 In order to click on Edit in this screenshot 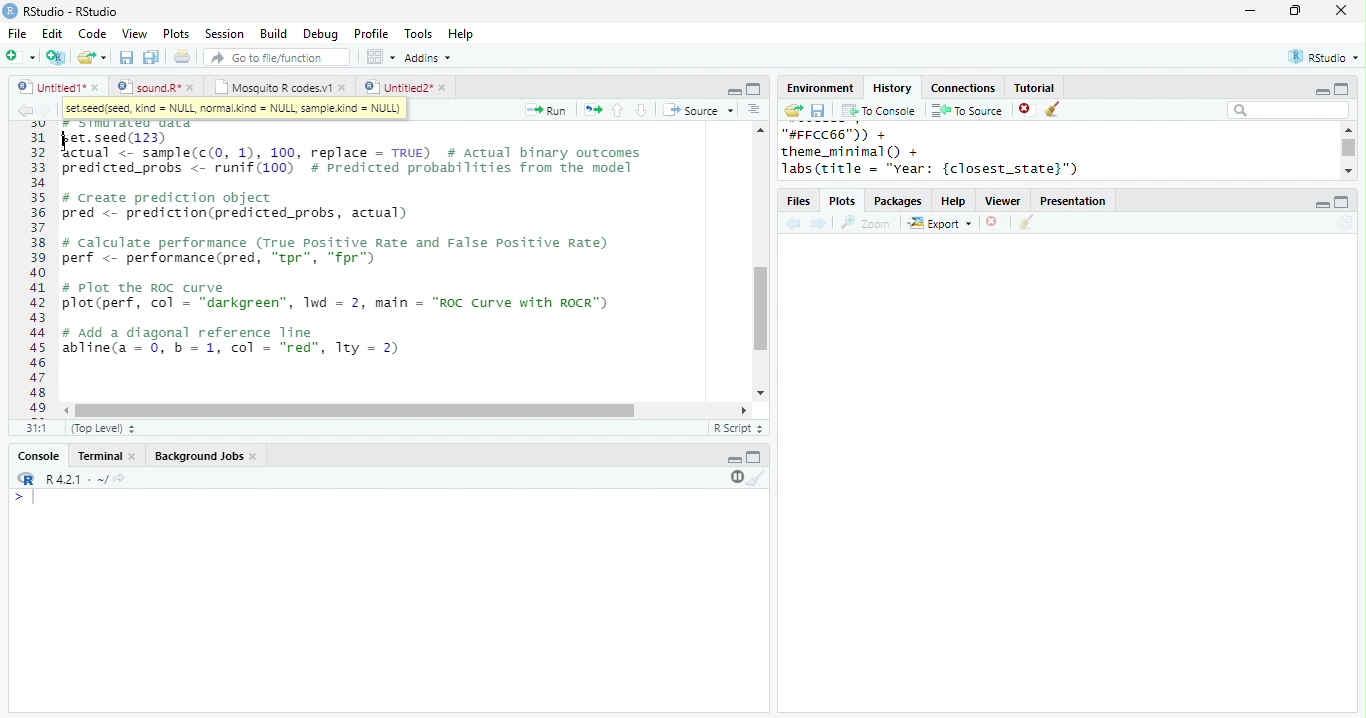, I will do `click(52, 34)`.